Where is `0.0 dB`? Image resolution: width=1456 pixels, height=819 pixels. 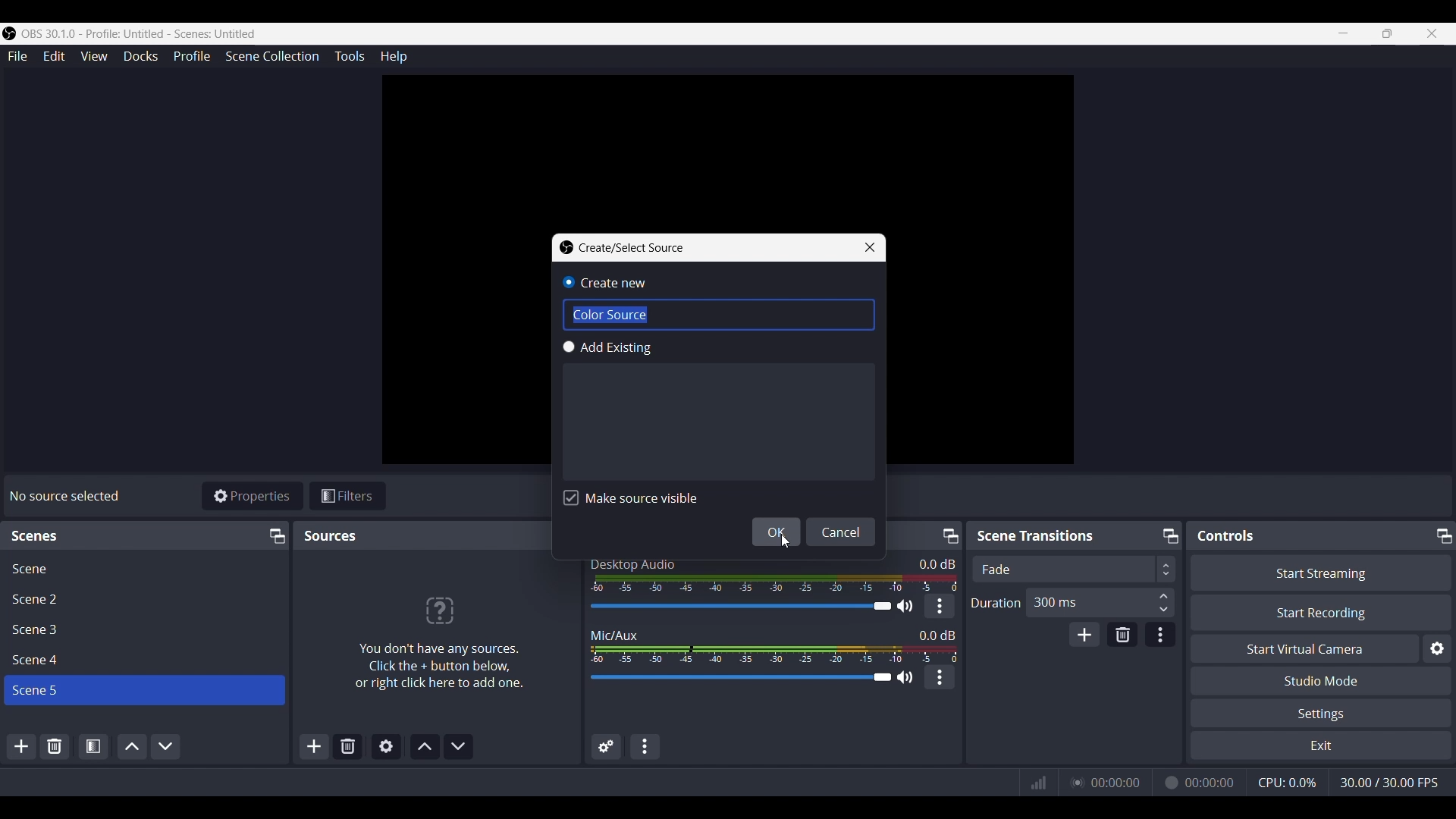
0.0 dB is located at coordinates (936, 634).